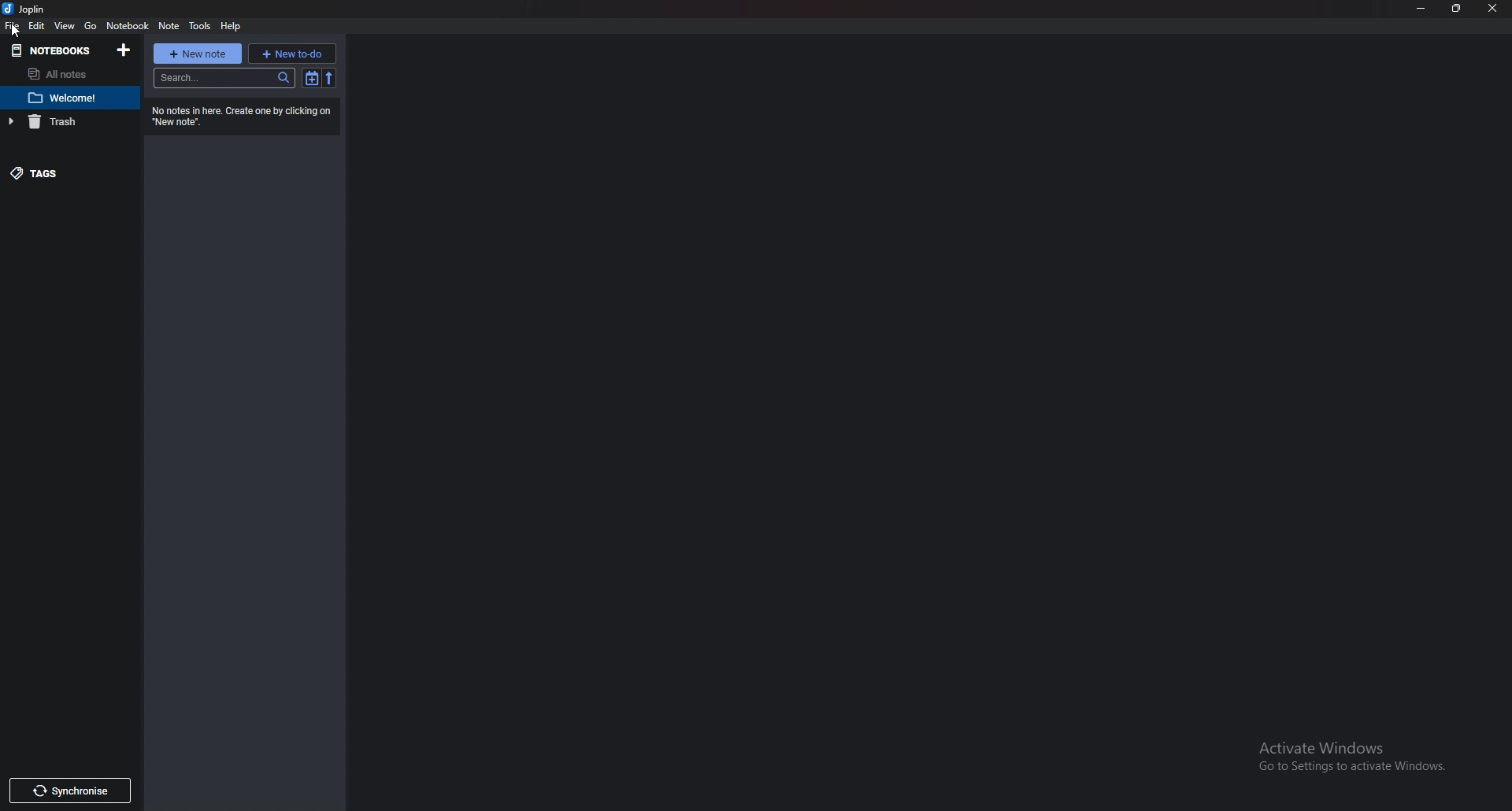 The image size is (1512, 811). I want to click on note, so click(172, 25).